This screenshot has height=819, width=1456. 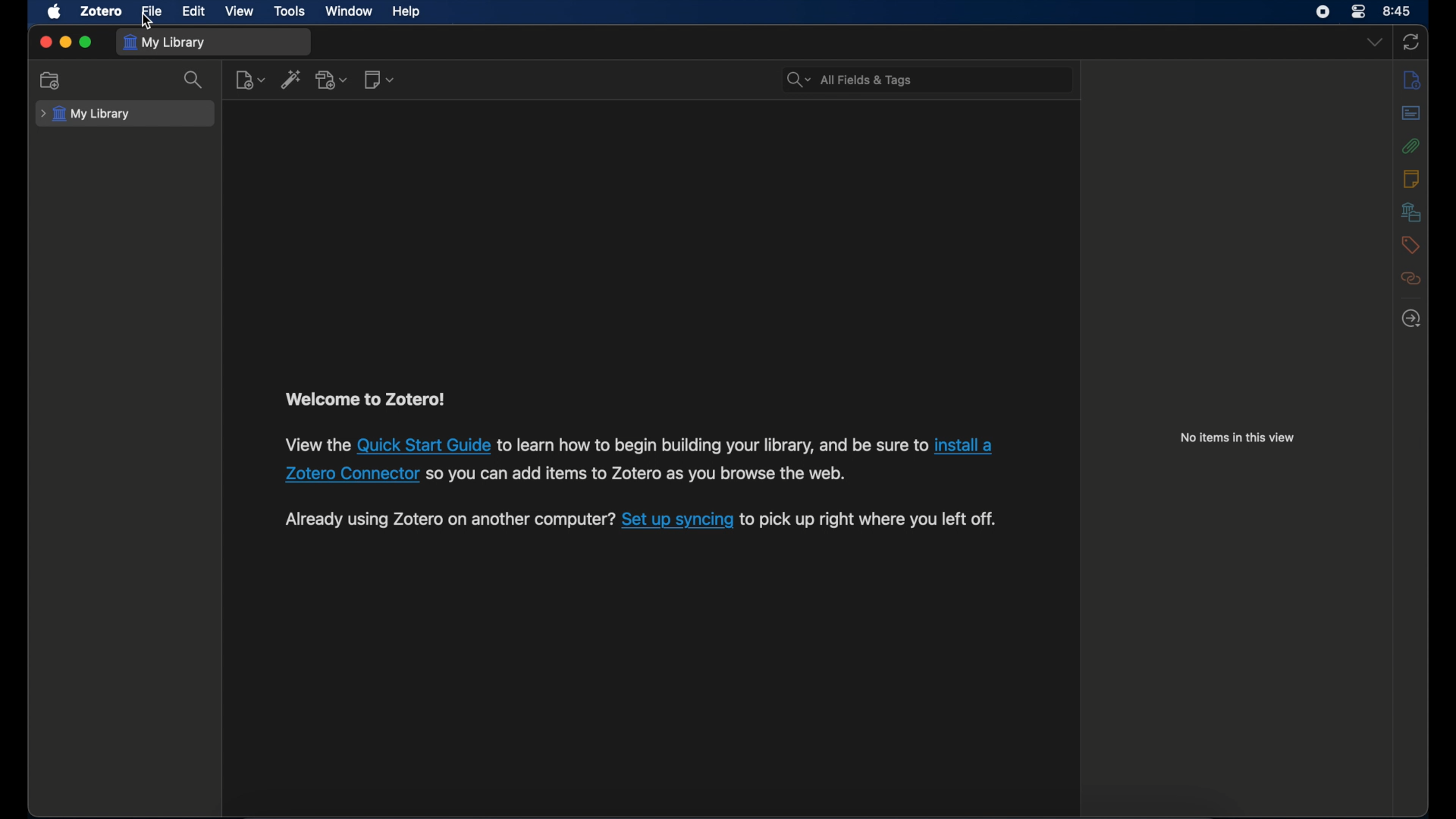 I want to click on libraries, so click(x=1410, y=212).